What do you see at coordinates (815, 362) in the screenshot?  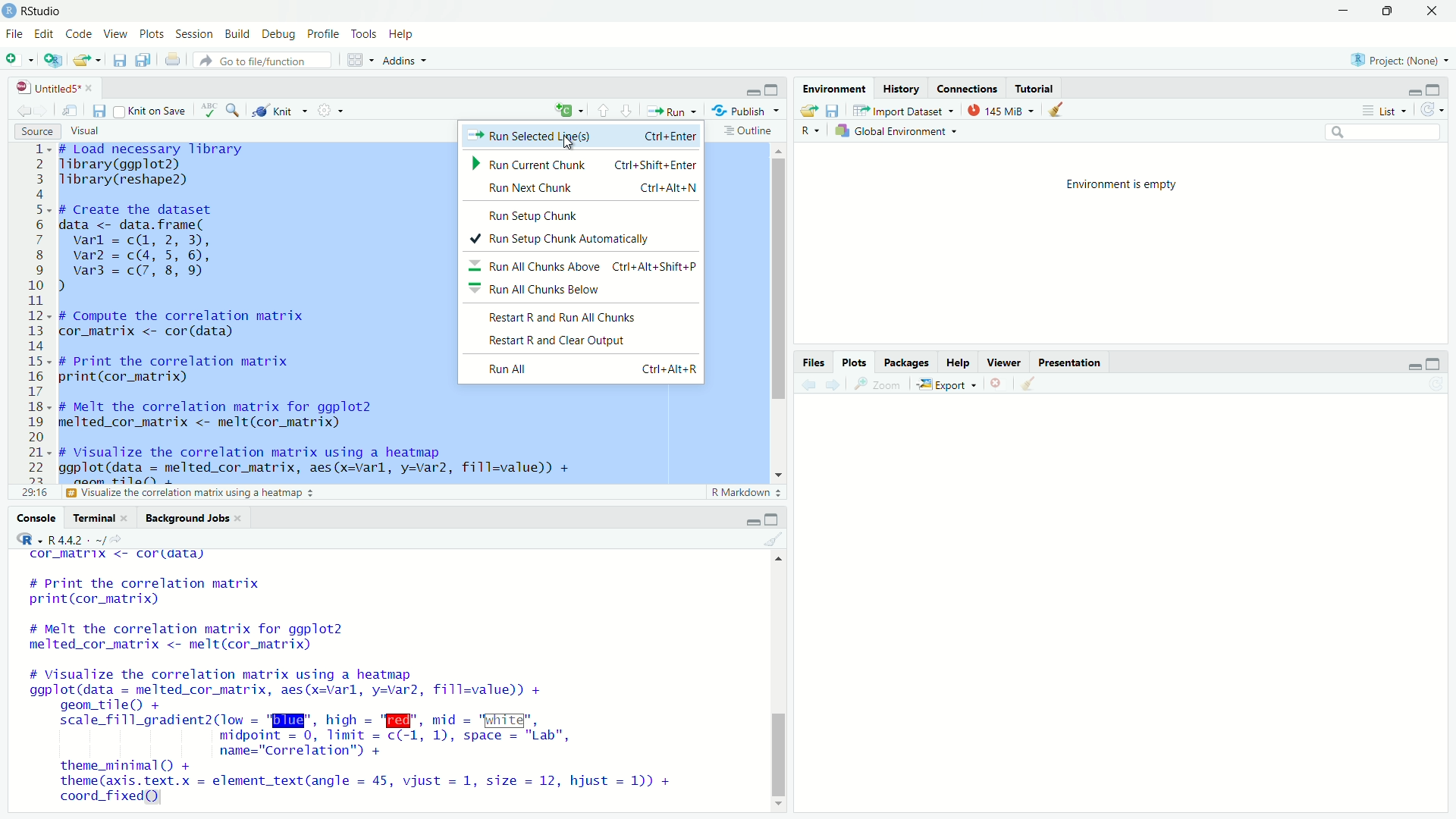 I see `files` at bounding box center [815, 362].